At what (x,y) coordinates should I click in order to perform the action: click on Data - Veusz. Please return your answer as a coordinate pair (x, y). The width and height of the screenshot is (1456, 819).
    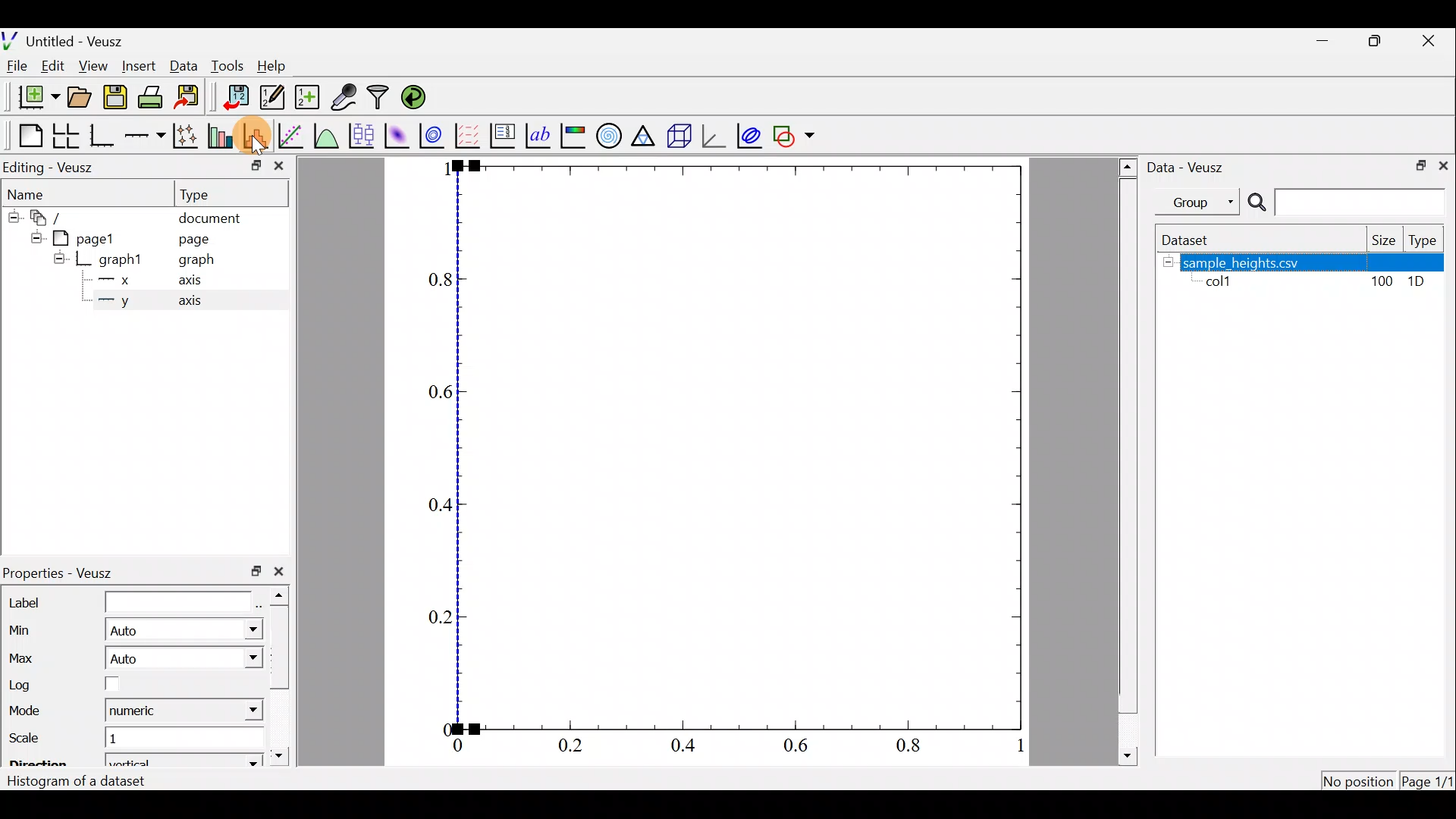
    Looking at the image, I should click on (1191, 168).